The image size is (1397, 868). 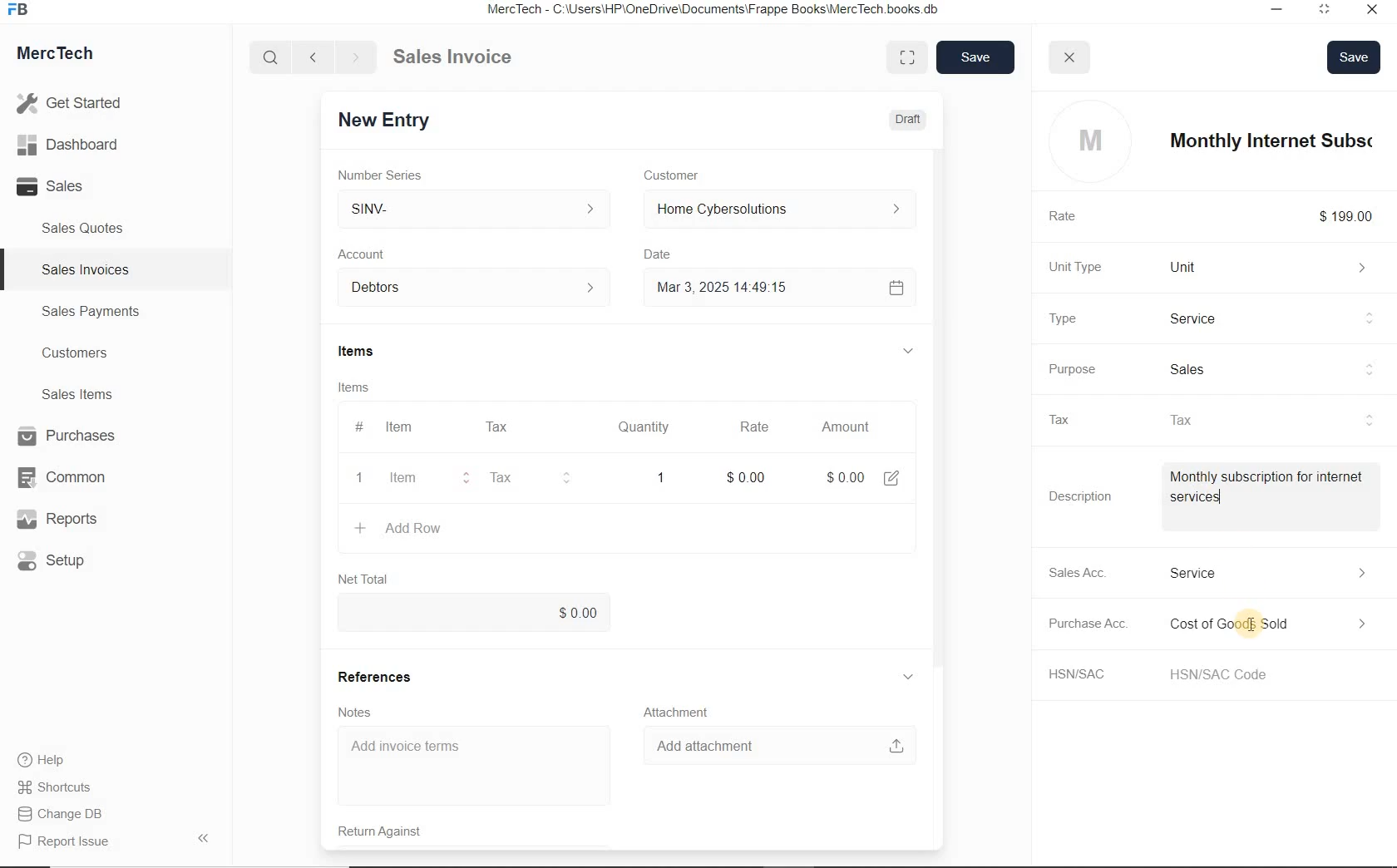 I want to click on Common, so click(x=69, y=476).